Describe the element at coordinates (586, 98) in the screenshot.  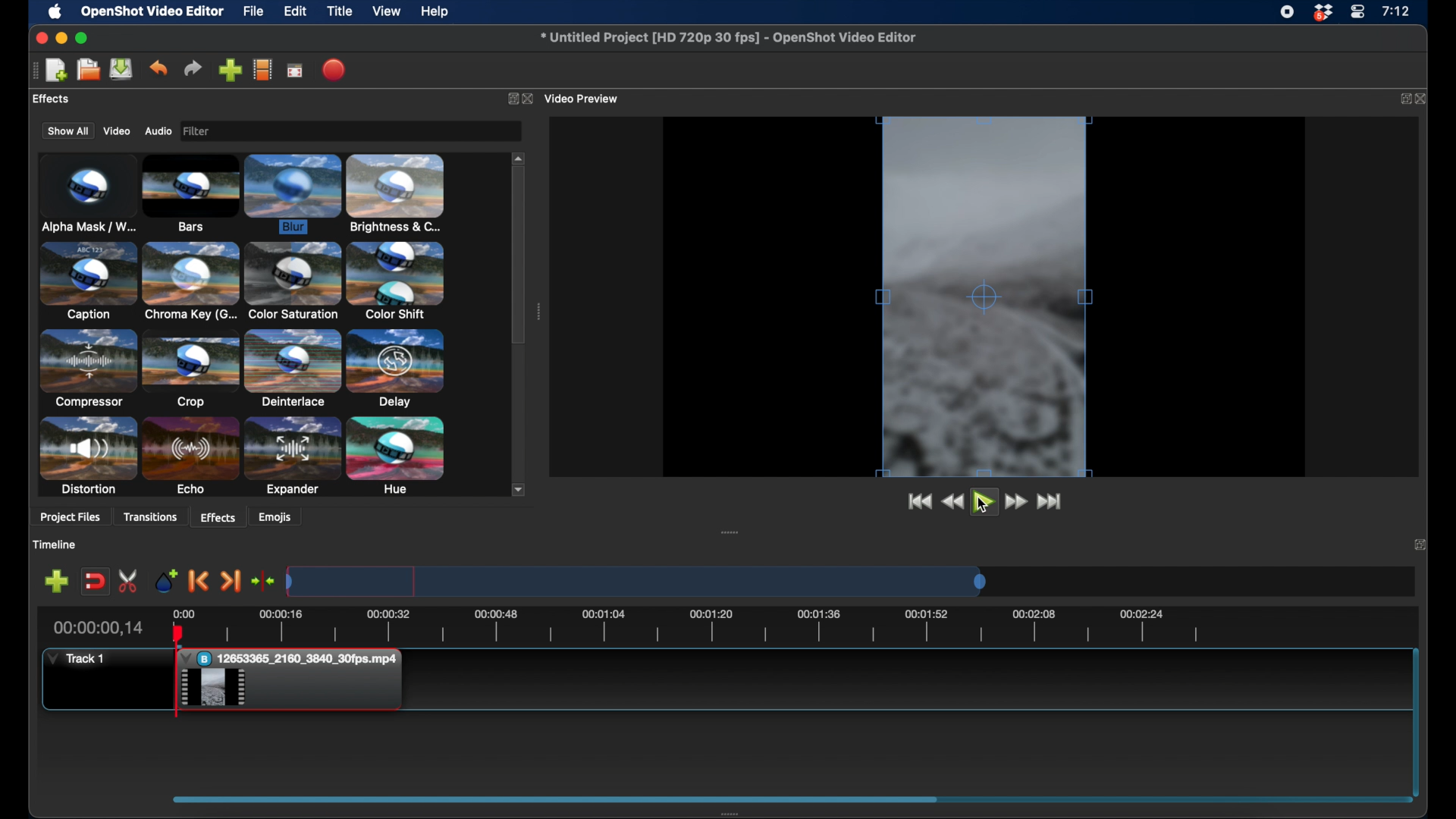
I see `video preview` at that location.